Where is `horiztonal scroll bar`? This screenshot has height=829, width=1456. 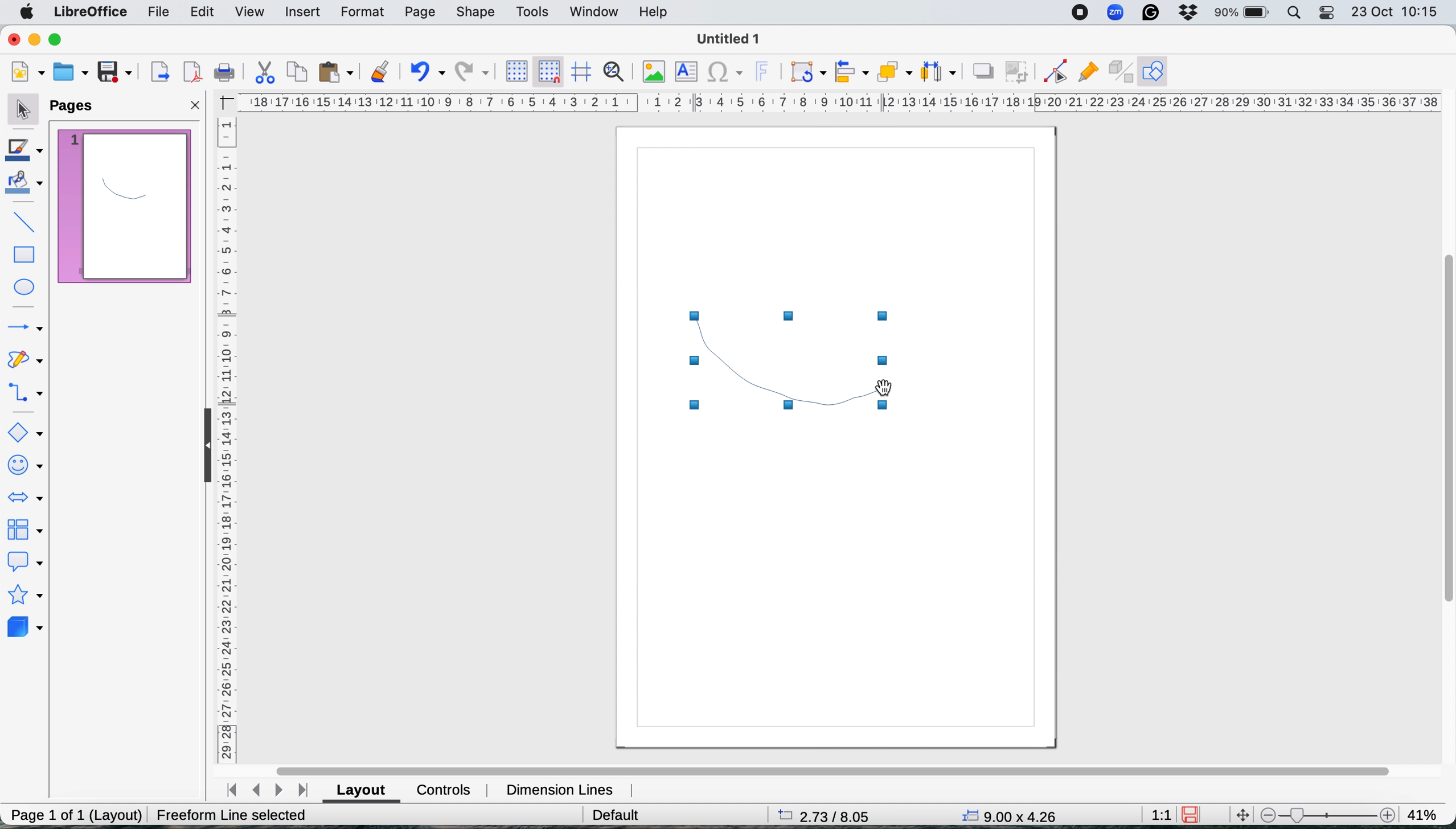 horiztonal scroll bar is located at coordinates (827, 766).